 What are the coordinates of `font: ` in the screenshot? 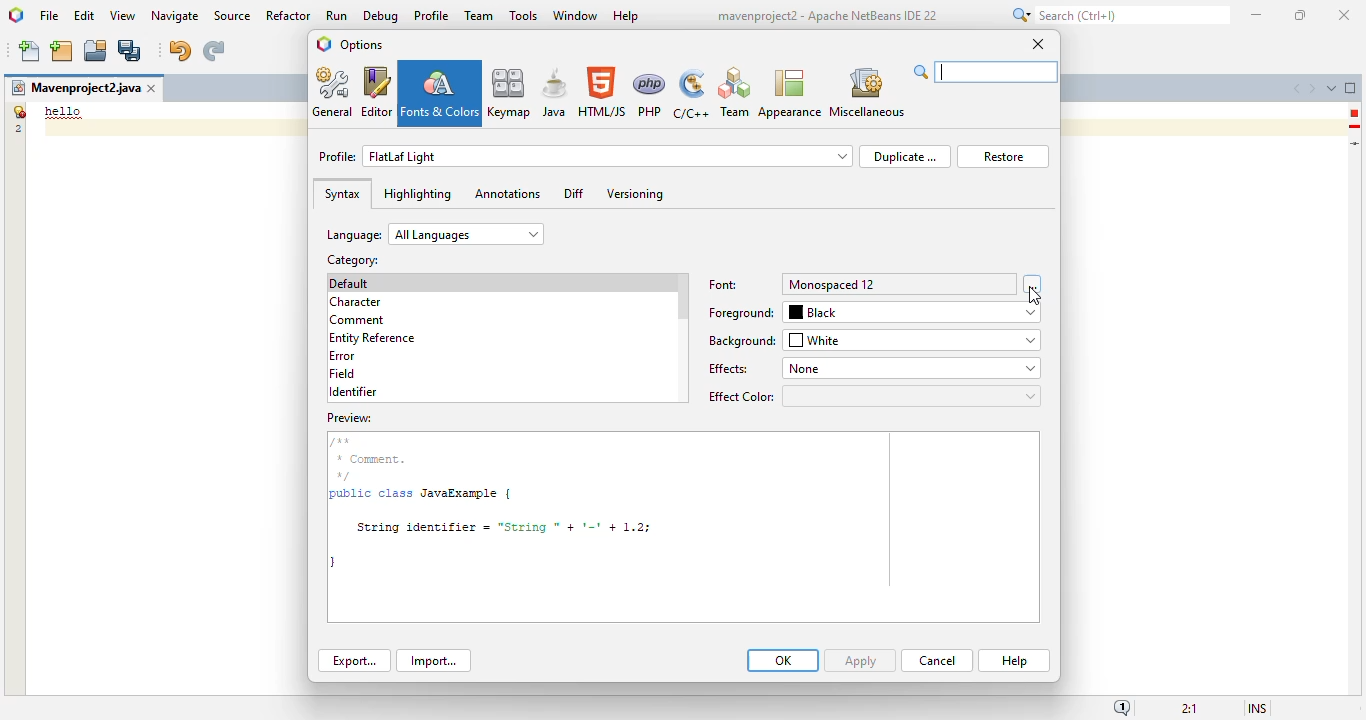 It's located at (723, 285).